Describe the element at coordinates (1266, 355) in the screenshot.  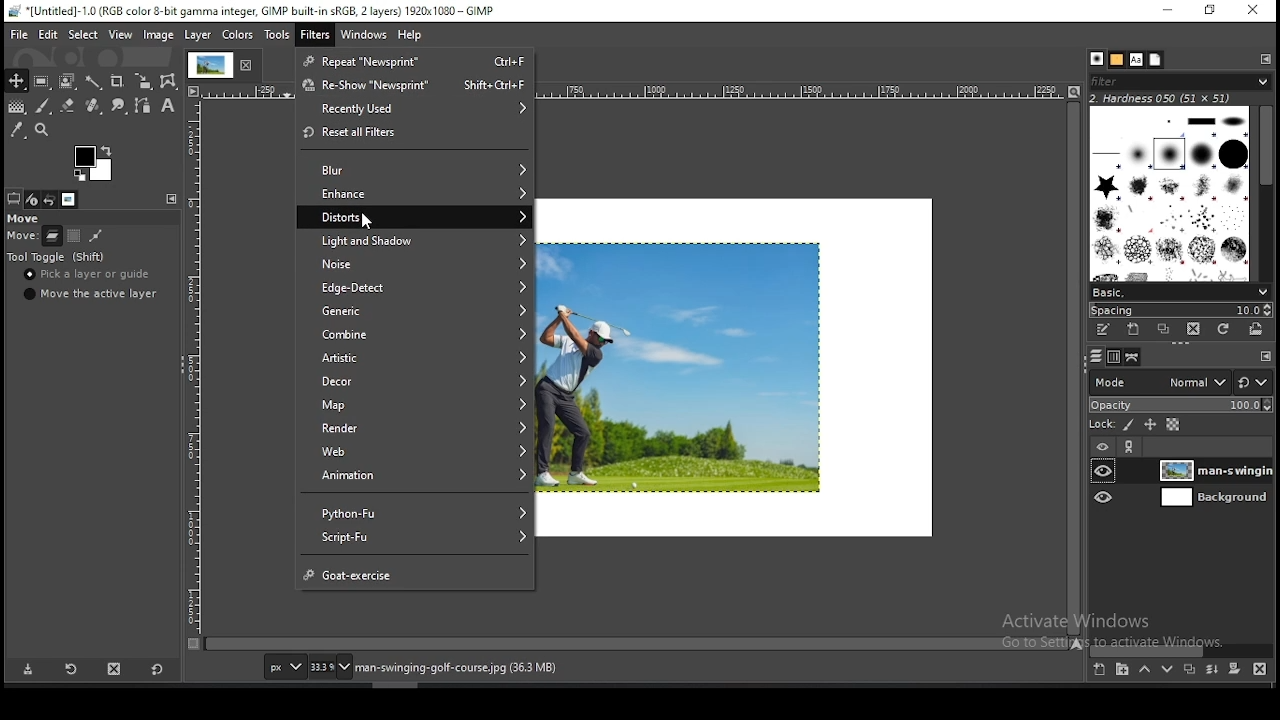
I see `configure this tab` at that location.